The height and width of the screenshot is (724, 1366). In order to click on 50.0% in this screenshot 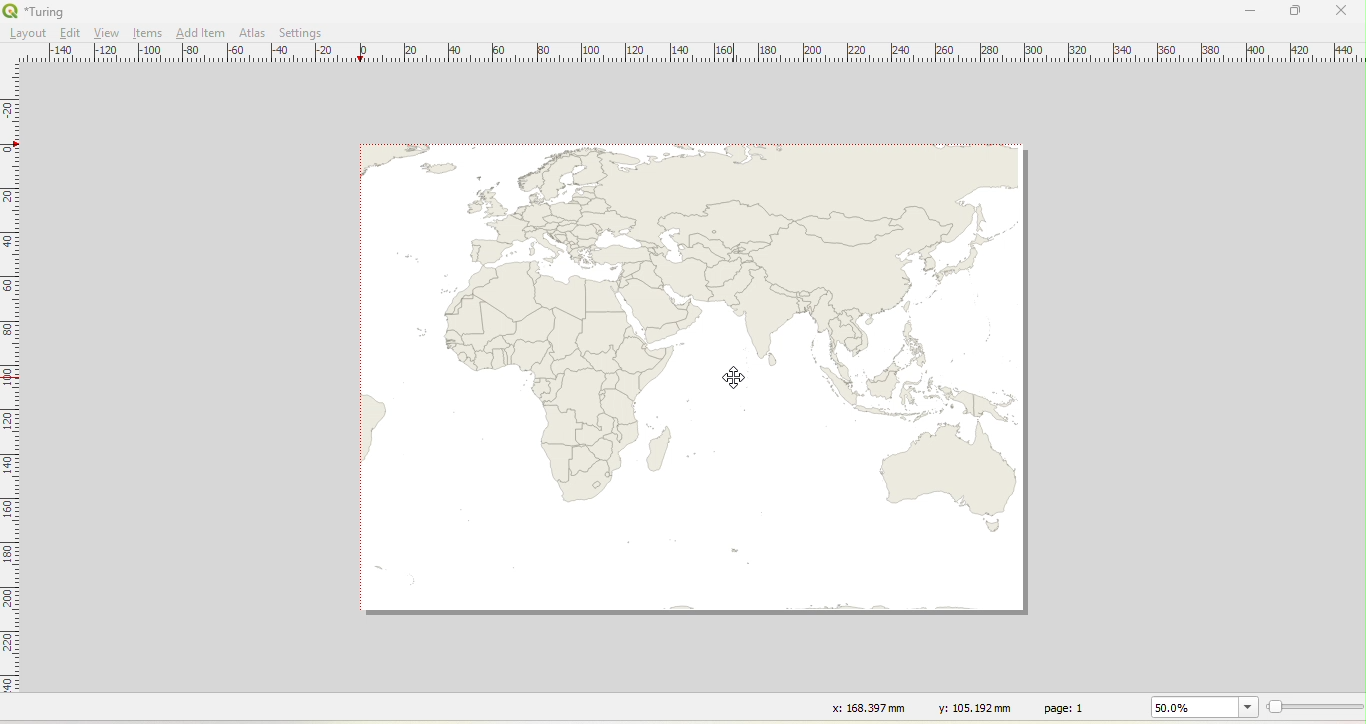, I will do `click(1201, 707)`.